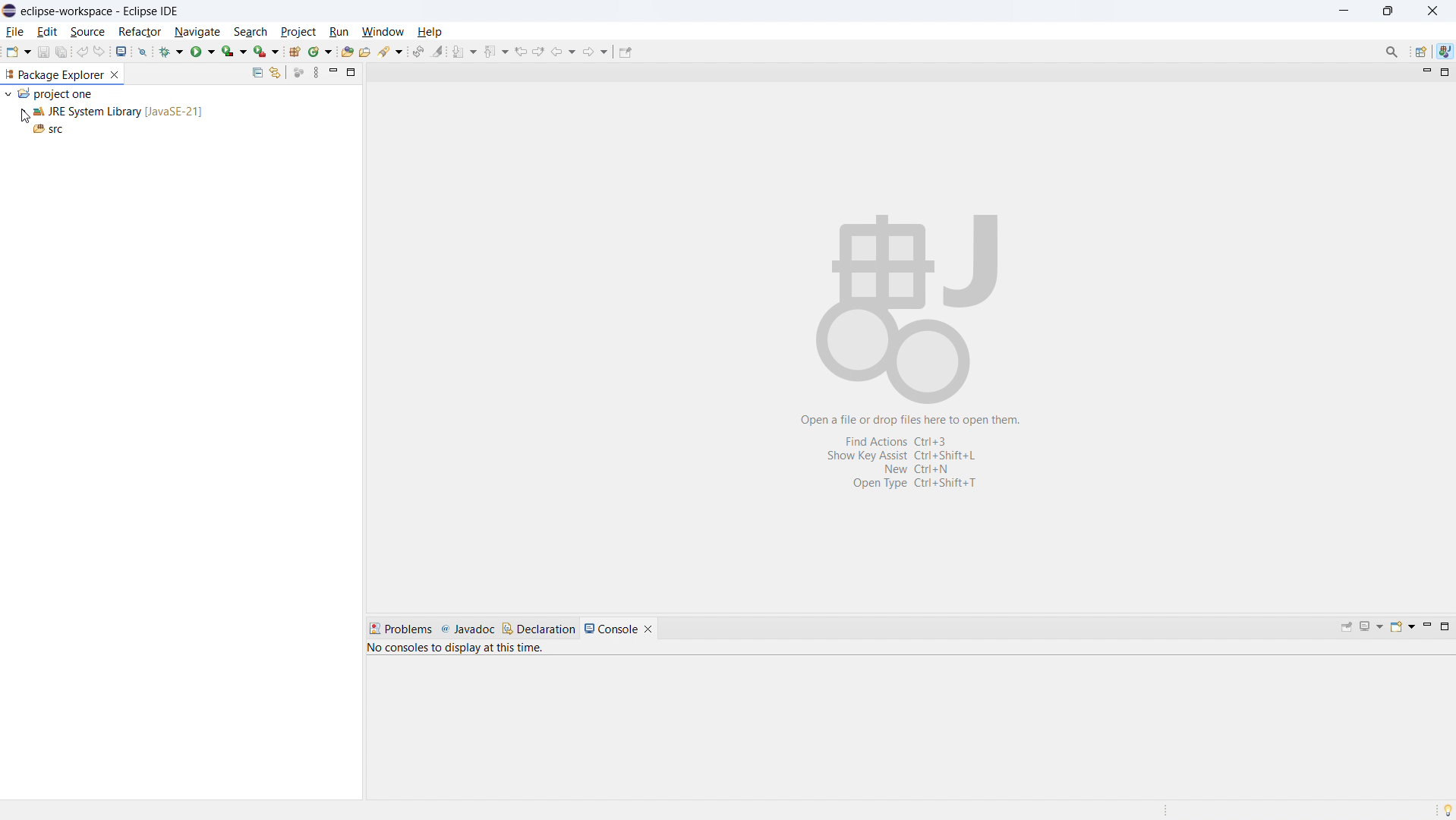  Describe the element at coordinates (9, 11) in the screenshot. I see `logo` at that location.